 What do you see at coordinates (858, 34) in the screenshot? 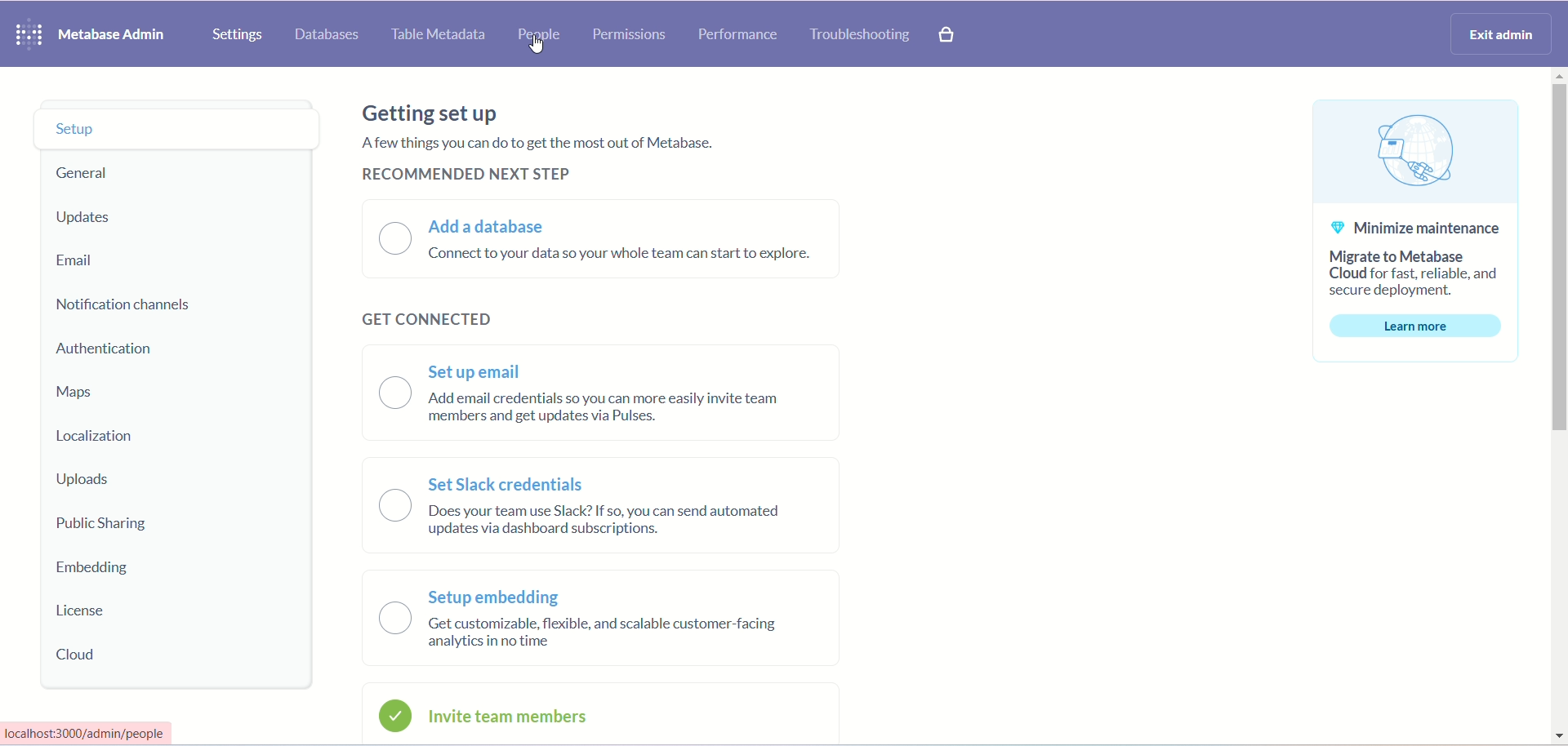
I see `troubleshooting` at bounding box center [858, 34].